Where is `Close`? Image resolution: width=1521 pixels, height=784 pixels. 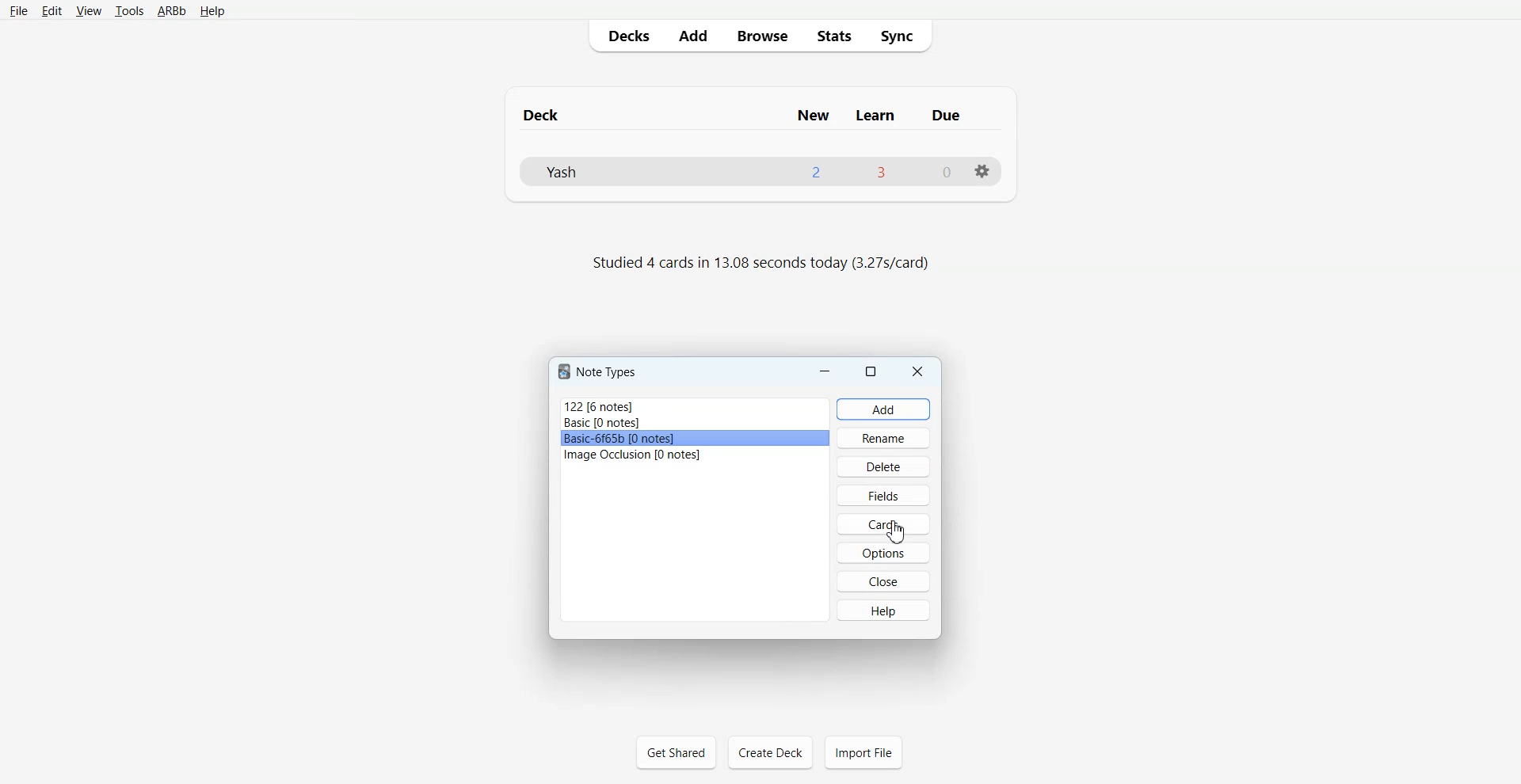
Close is located at coordinates (917, 371).